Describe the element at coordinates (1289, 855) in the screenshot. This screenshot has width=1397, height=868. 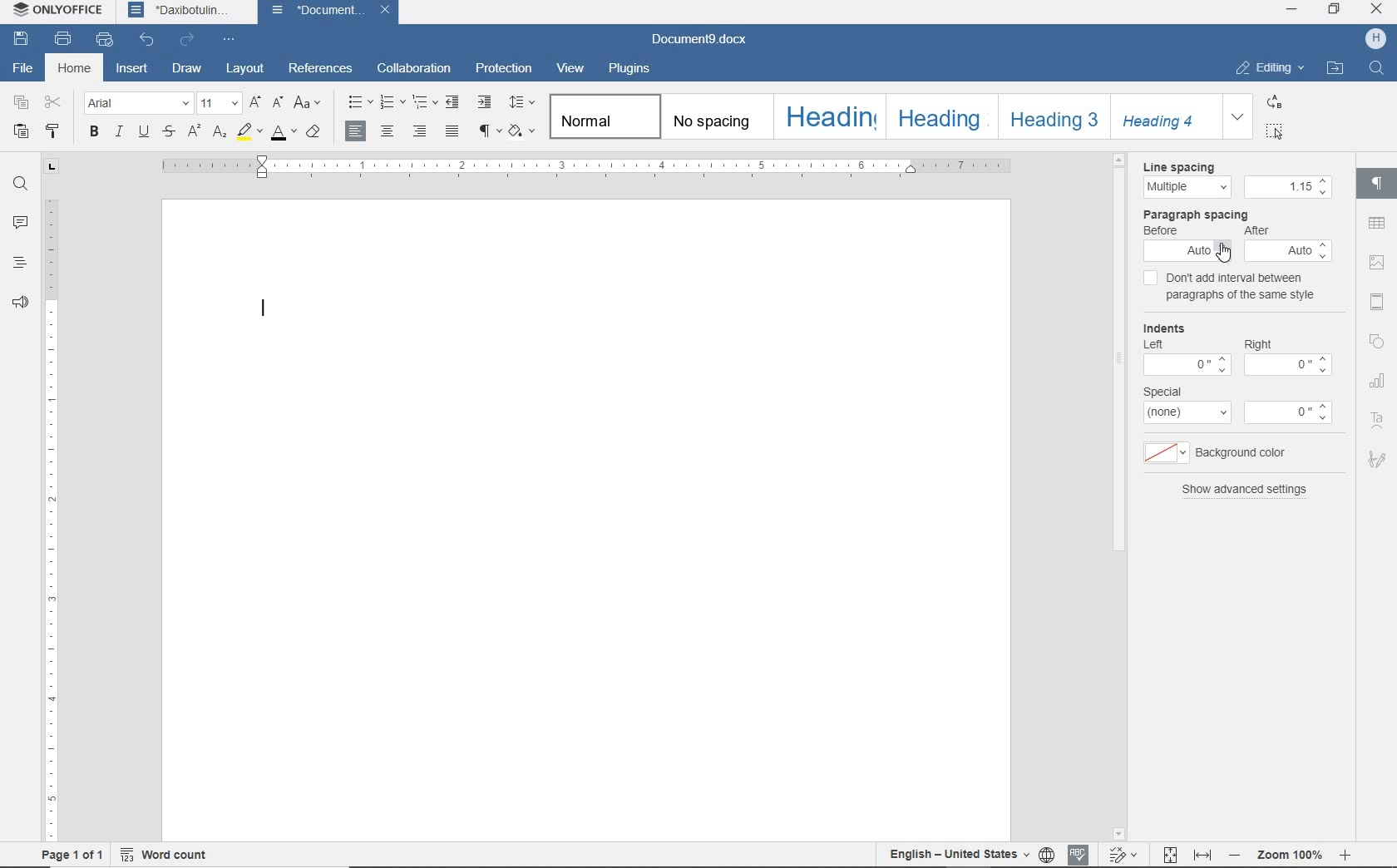
I see `Zoom 100%` at that location.